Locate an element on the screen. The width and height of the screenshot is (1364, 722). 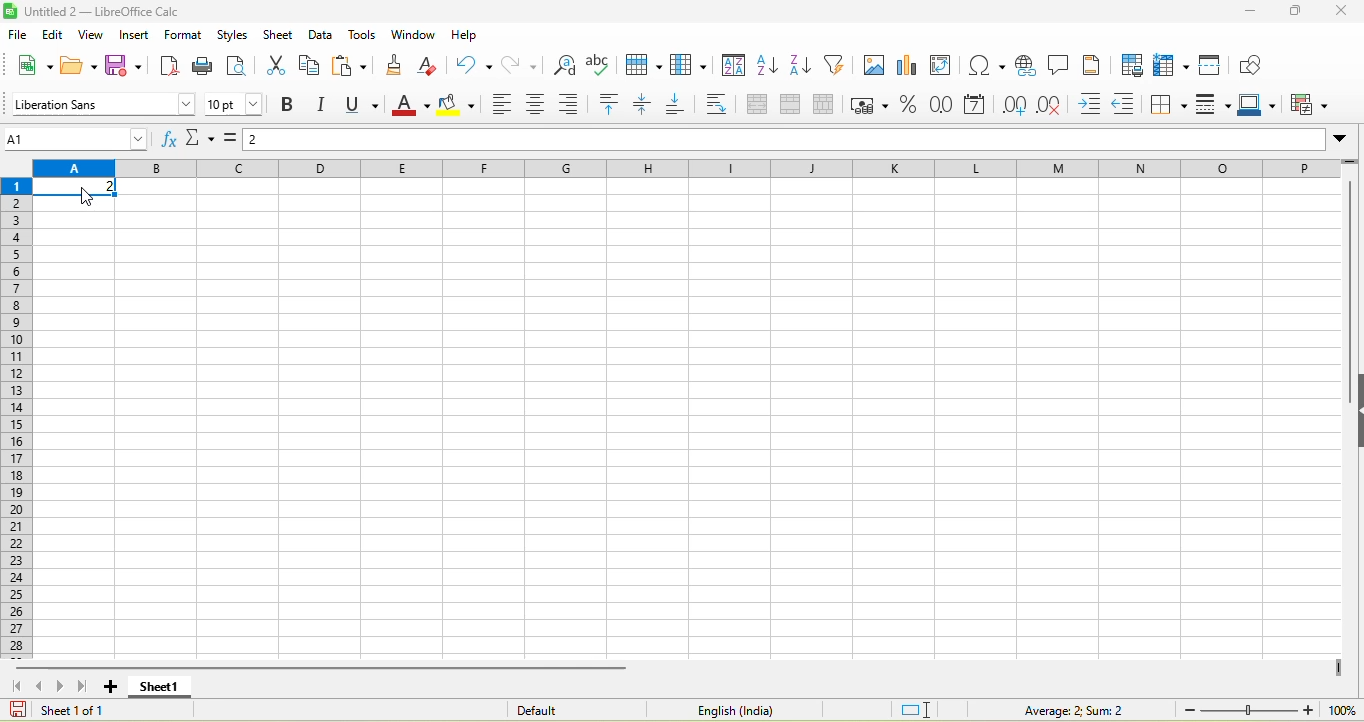
file is located at coordinates (14, 33).